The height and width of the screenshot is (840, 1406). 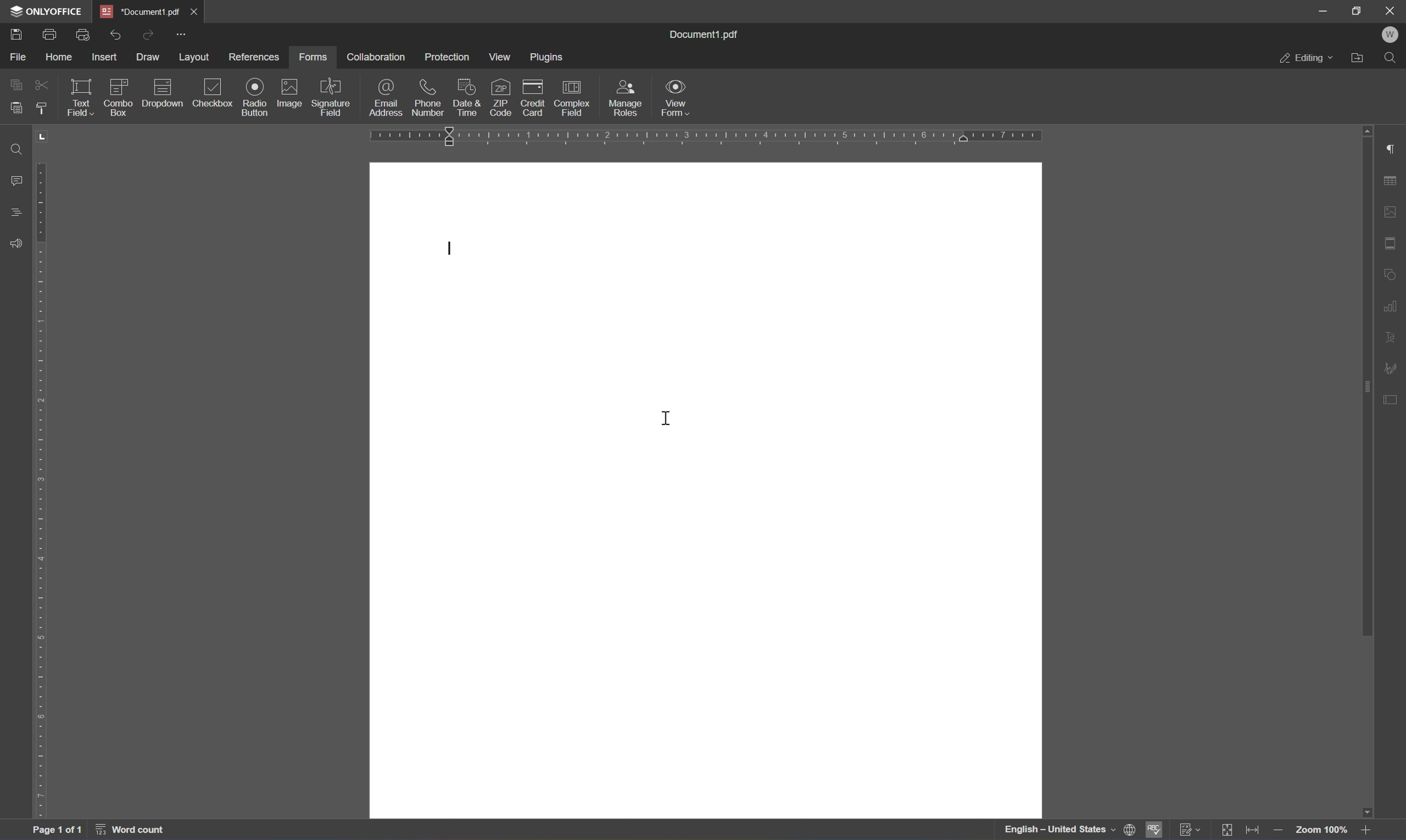 What do you see at coordinates (1392, 57) in the screenshot?
I see `find` at bounding box center [1392, 57].